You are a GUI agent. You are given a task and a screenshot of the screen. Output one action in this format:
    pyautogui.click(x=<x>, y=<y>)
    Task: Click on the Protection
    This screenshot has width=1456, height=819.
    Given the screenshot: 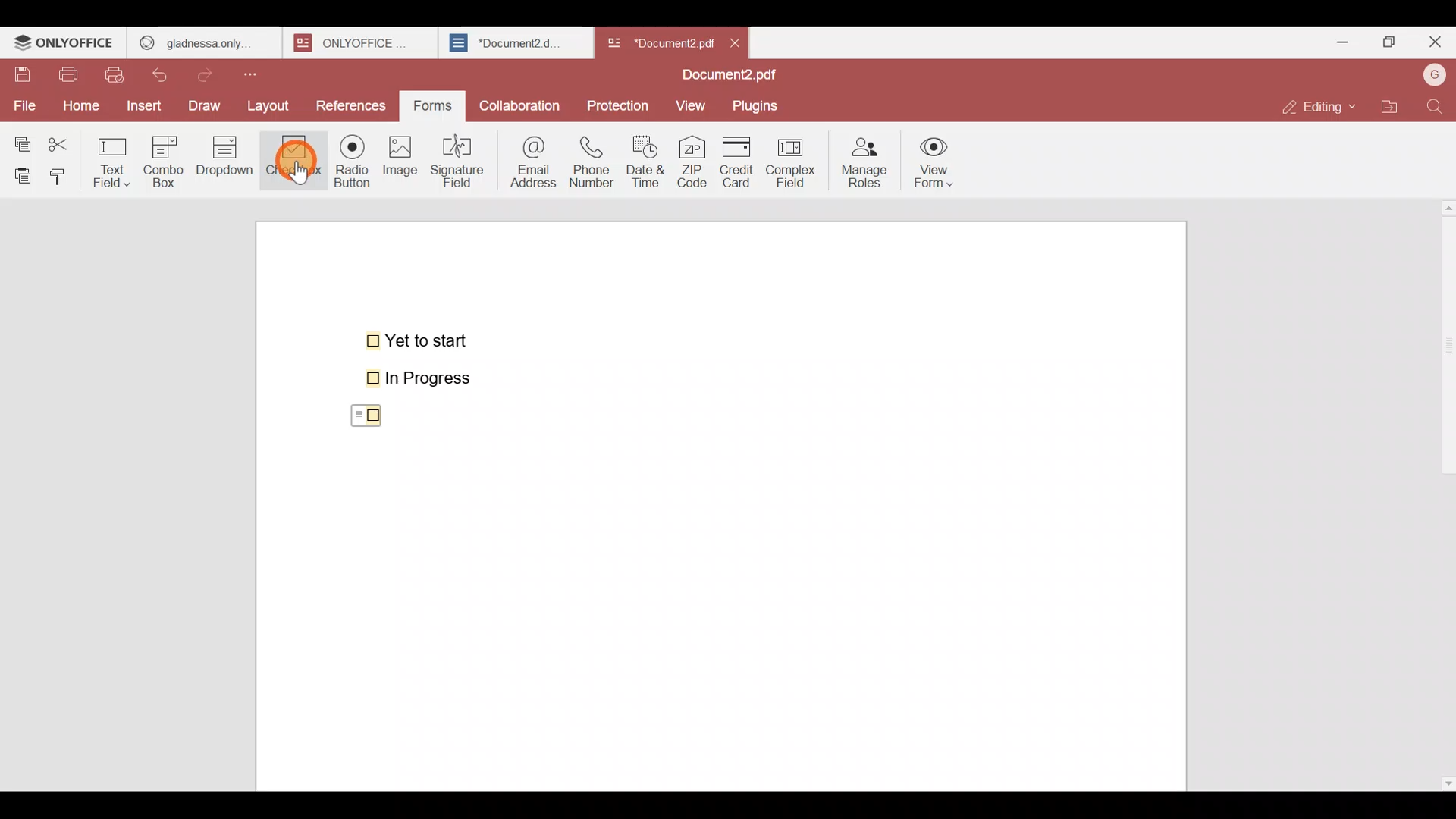 What is the action you would take?
    pyautogui.click(x=619, y=105)
    